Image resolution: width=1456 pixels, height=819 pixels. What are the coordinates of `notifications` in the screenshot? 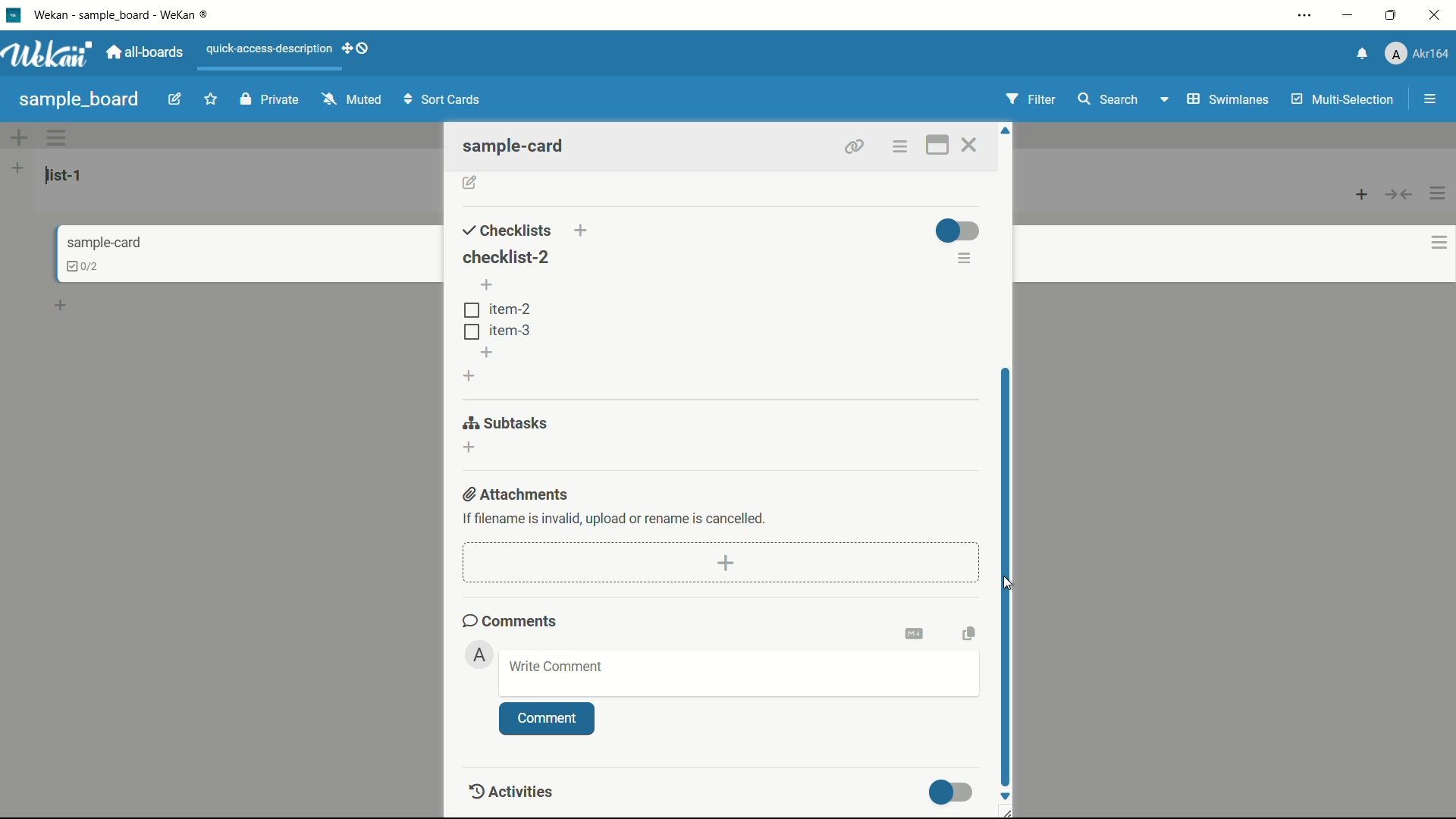 It's located at (1363, 52).